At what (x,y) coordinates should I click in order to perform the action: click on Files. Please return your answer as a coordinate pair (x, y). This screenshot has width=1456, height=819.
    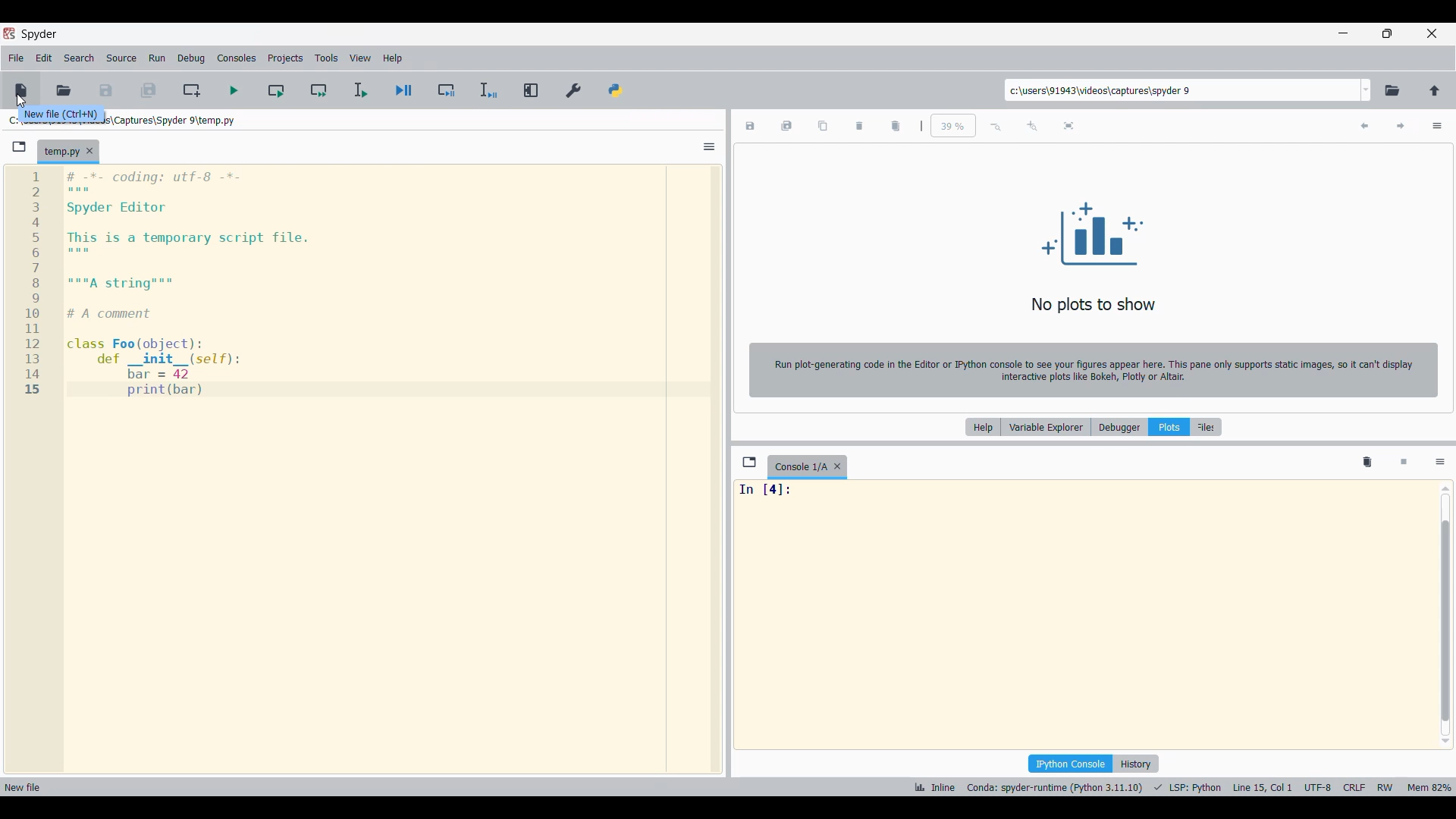
    Looking at the image, I should click on (1209, 427).